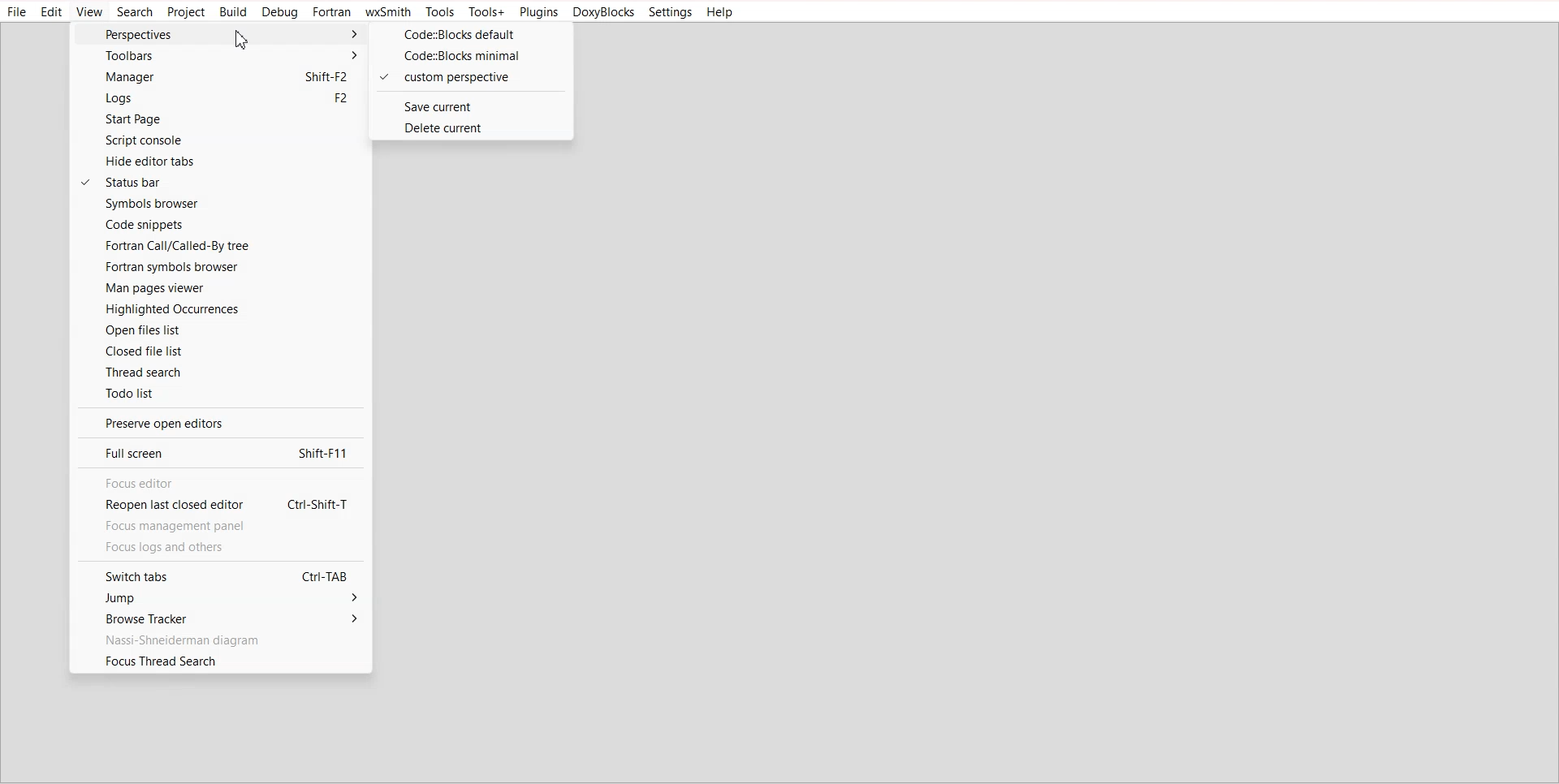 Image resolution: width=1559 pixels, height=784 pixels. I want to click on Delete current, so click(470, 127).